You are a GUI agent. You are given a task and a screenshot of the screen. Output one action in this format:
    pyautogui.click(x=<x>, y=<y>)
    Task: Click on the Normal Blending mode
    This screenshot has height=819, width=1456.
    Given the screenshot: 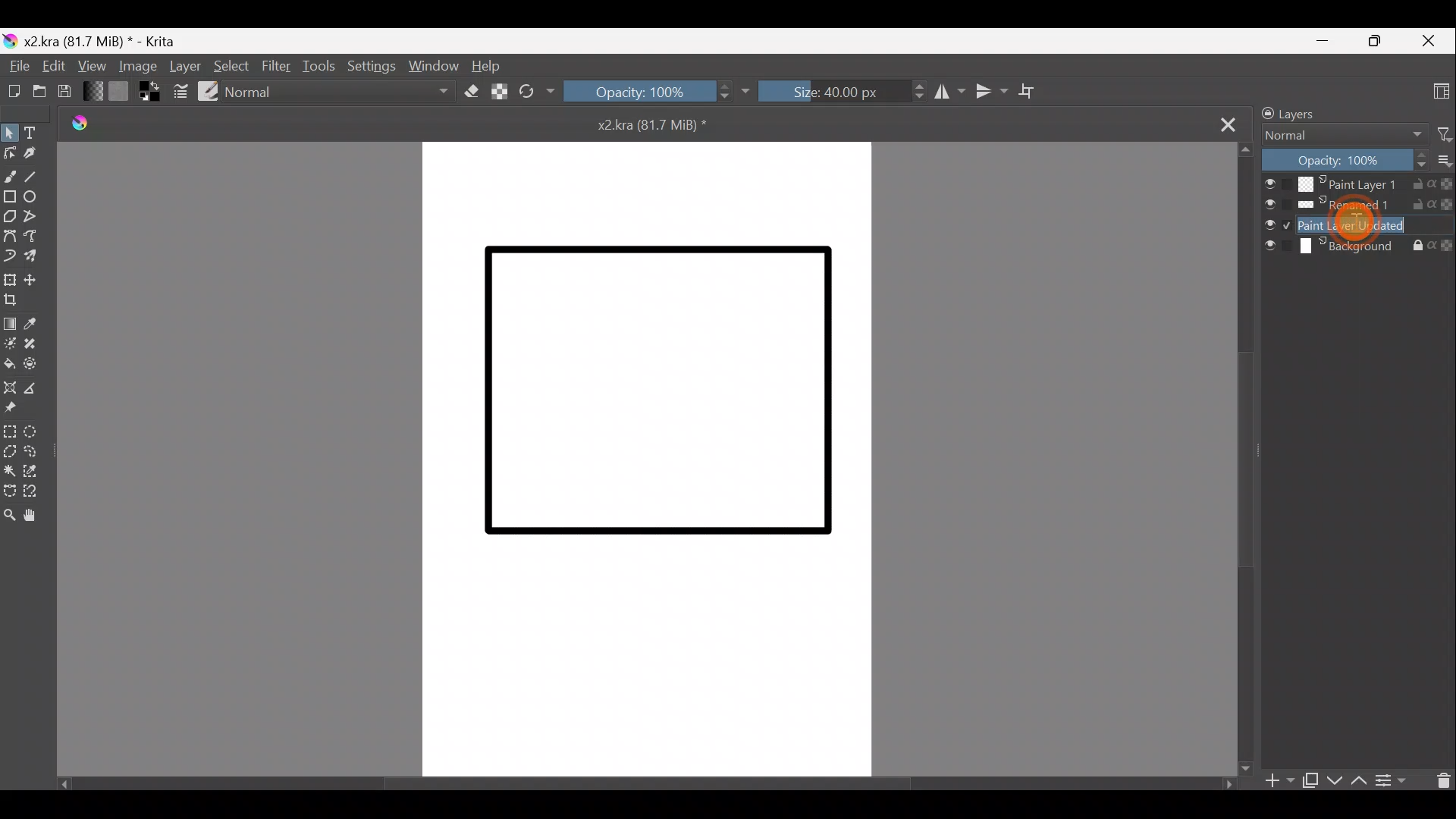 What is the action you would take?
    pyautogui.click(x=343, y=93)
    